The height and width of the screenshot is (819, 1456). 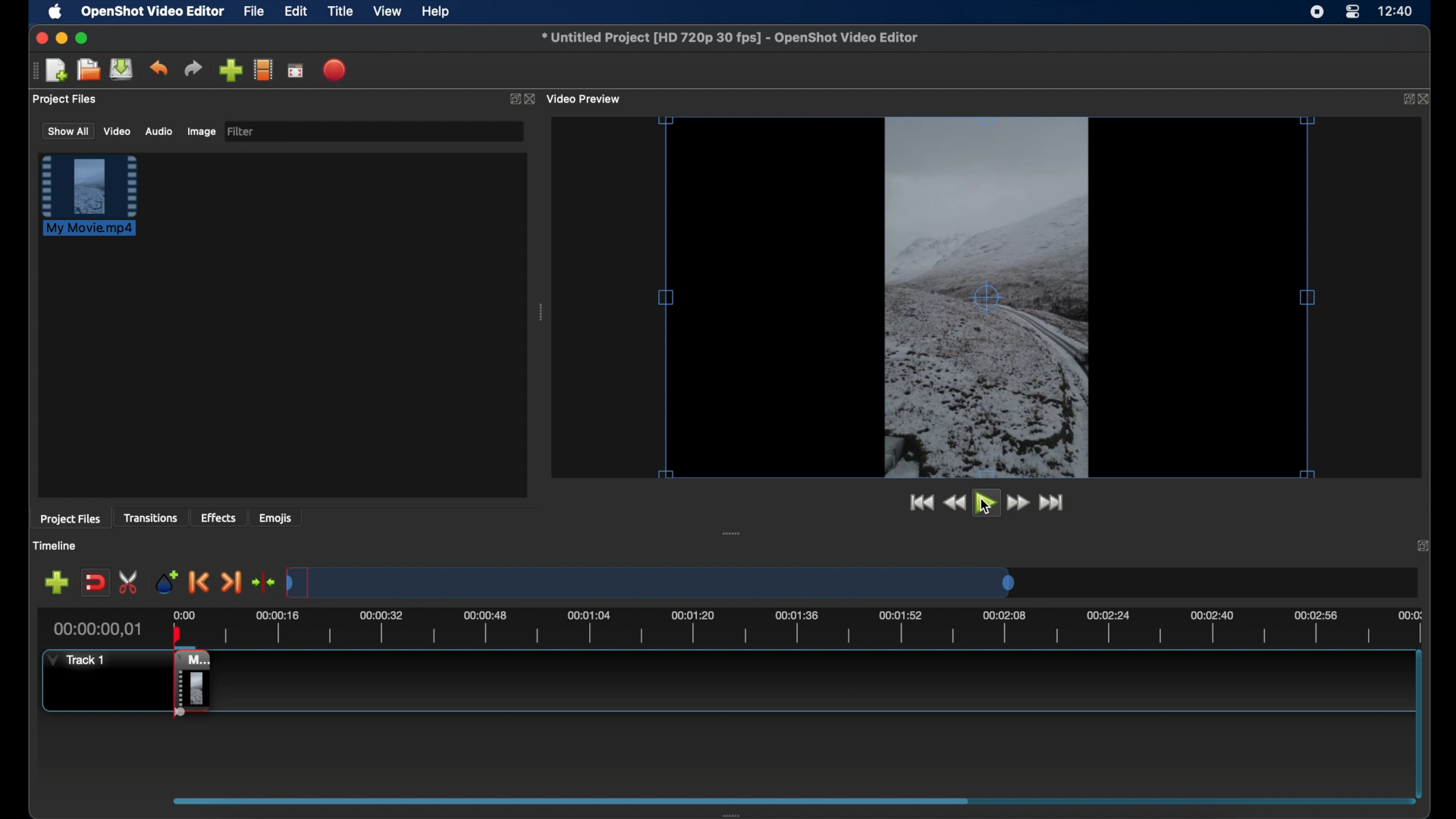 What do you see at coordinates (262, 582) in the screenshot?
I see `center playhead on the timeline` at bounding box center [262, 582].